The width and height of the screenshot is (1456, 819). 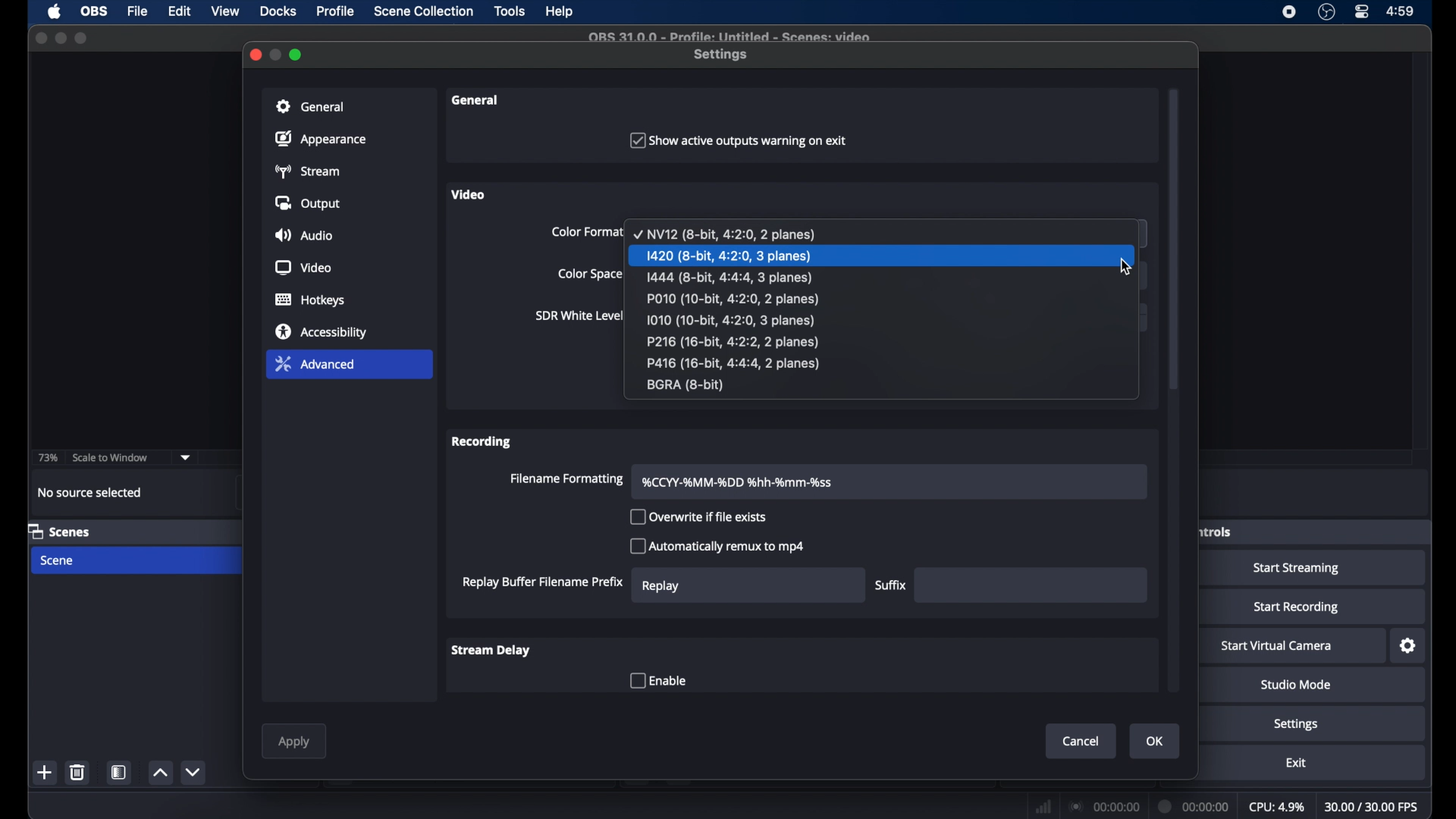 What do you see at coordinates (303, 268) in the screenshot?
I see `video` at bounding box center [303, 268].